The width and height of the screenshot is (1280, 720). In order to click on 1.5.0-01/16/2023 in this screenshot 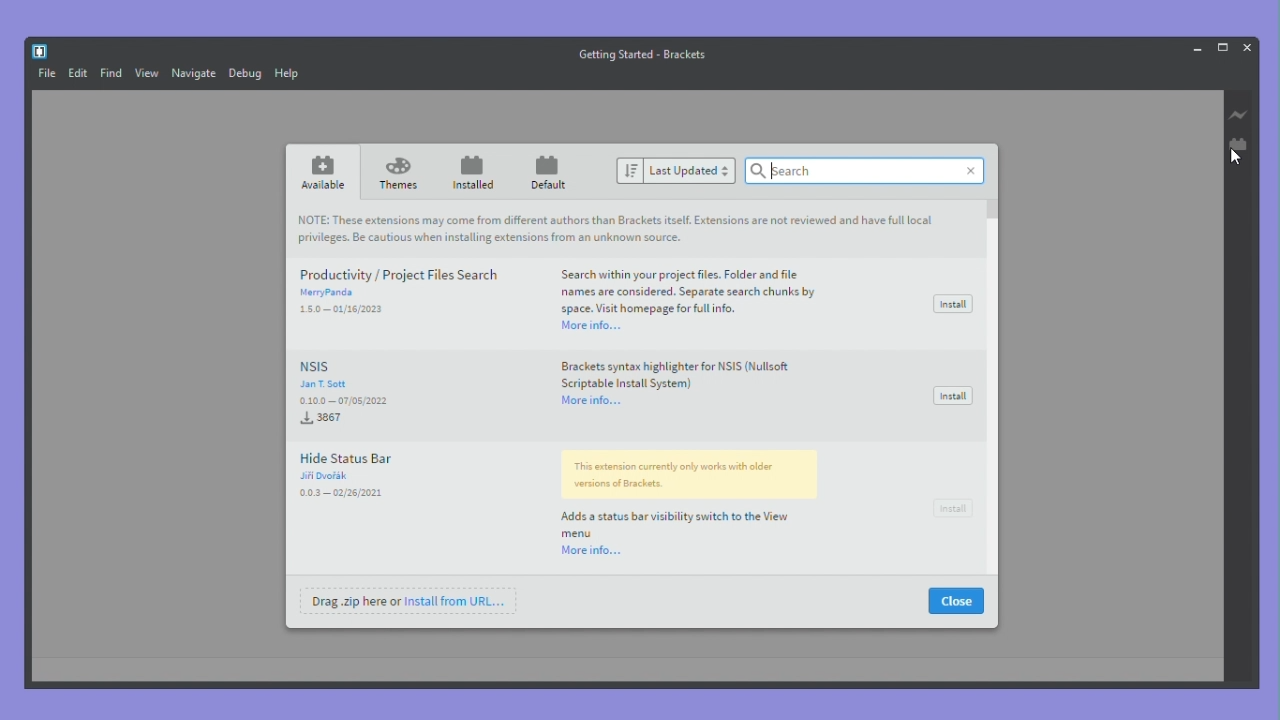, I will do `click(342, 310)`.